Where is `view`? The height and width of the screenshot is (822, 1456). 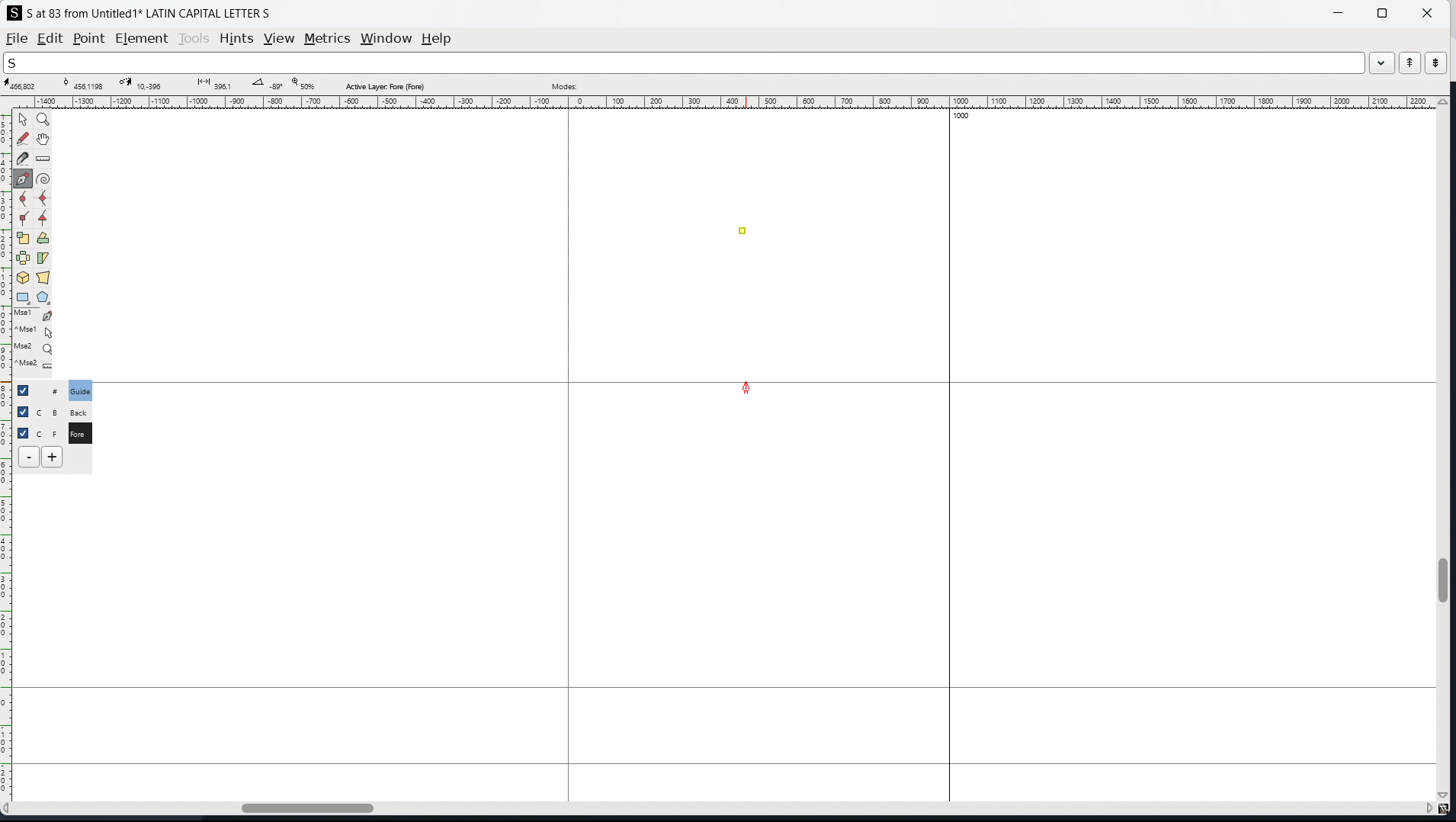
view is located at coordinates (279, 39).